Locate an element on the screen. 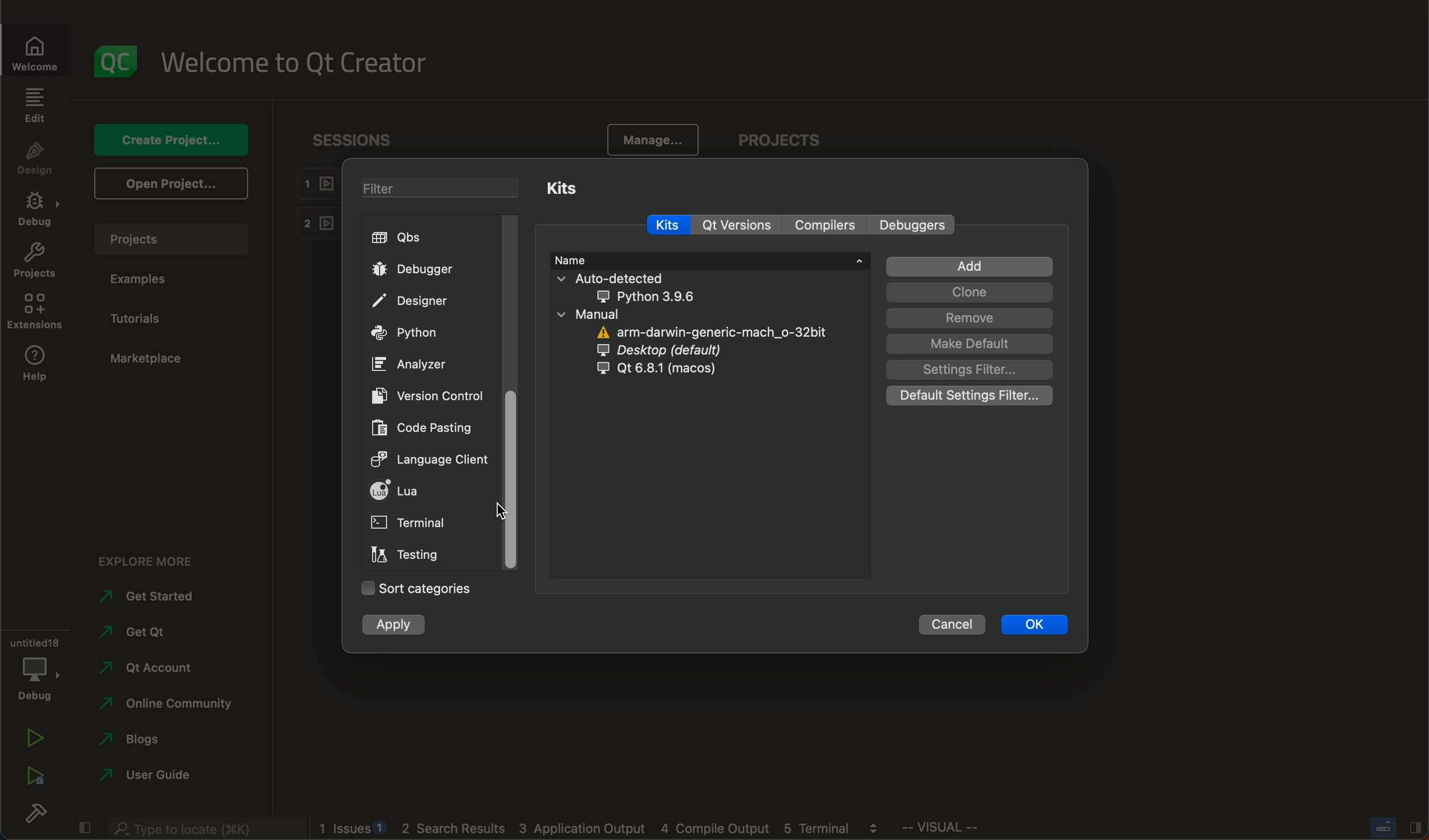 The width and height of the screenshot is (1429, 840). qt versions is located at coordinates (742, 225).